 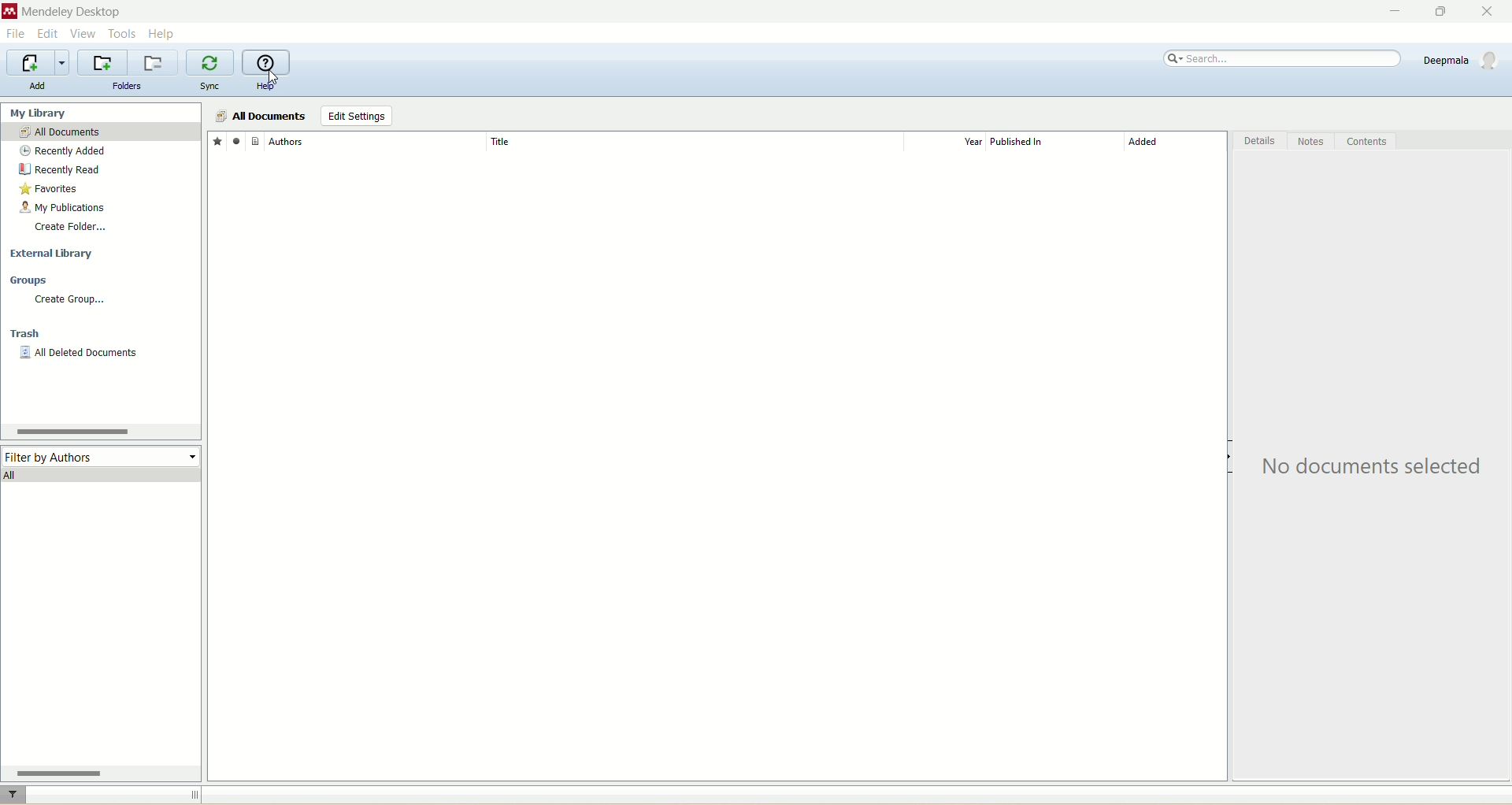 What do you see at coordinates (1442, 12) in the screenshot?
I see `maximize` at bounding box center [1442, 12].